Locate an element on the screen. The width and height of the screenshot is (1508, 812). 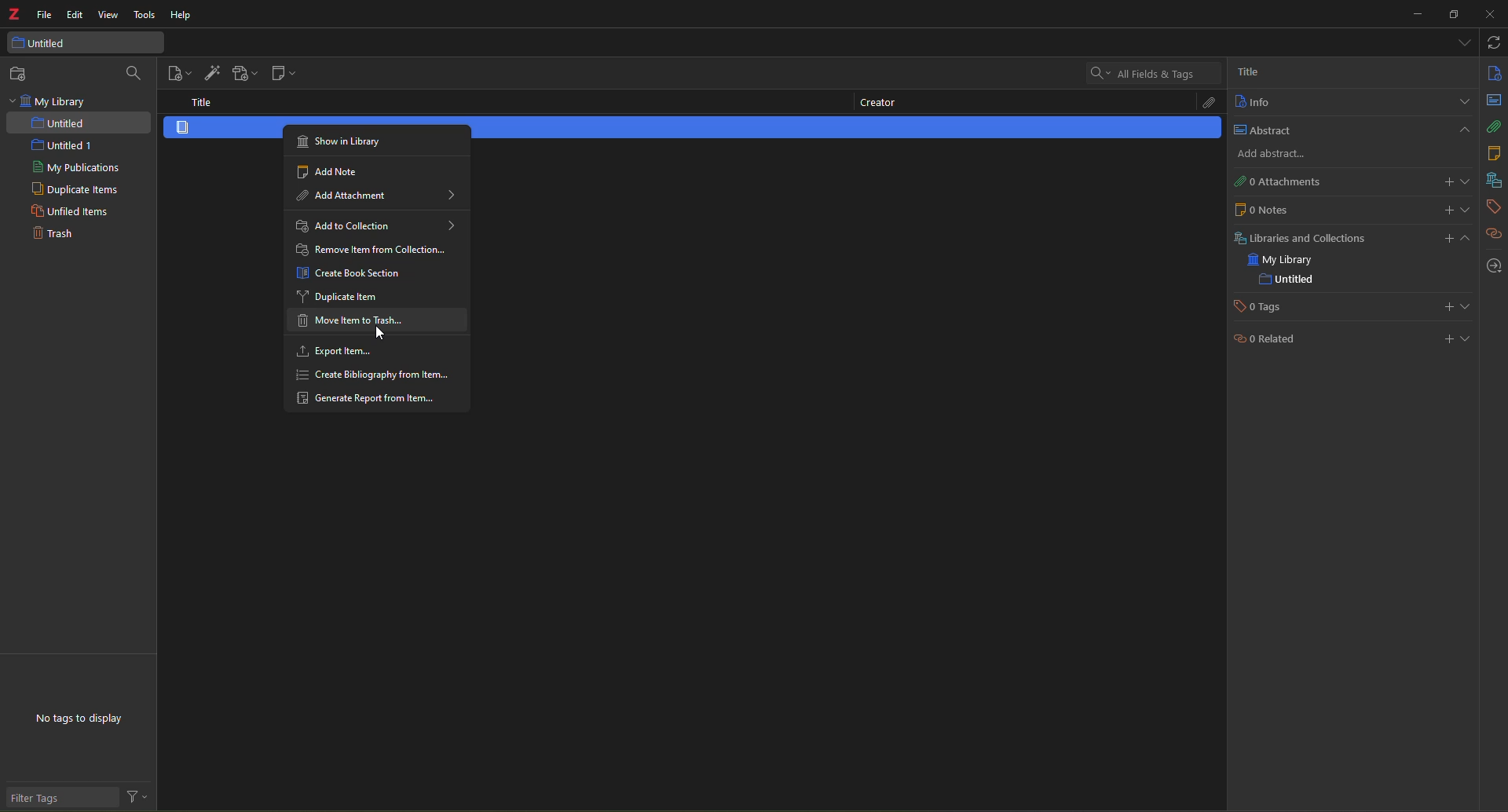
add to collection is located at coordinates (375, 225).